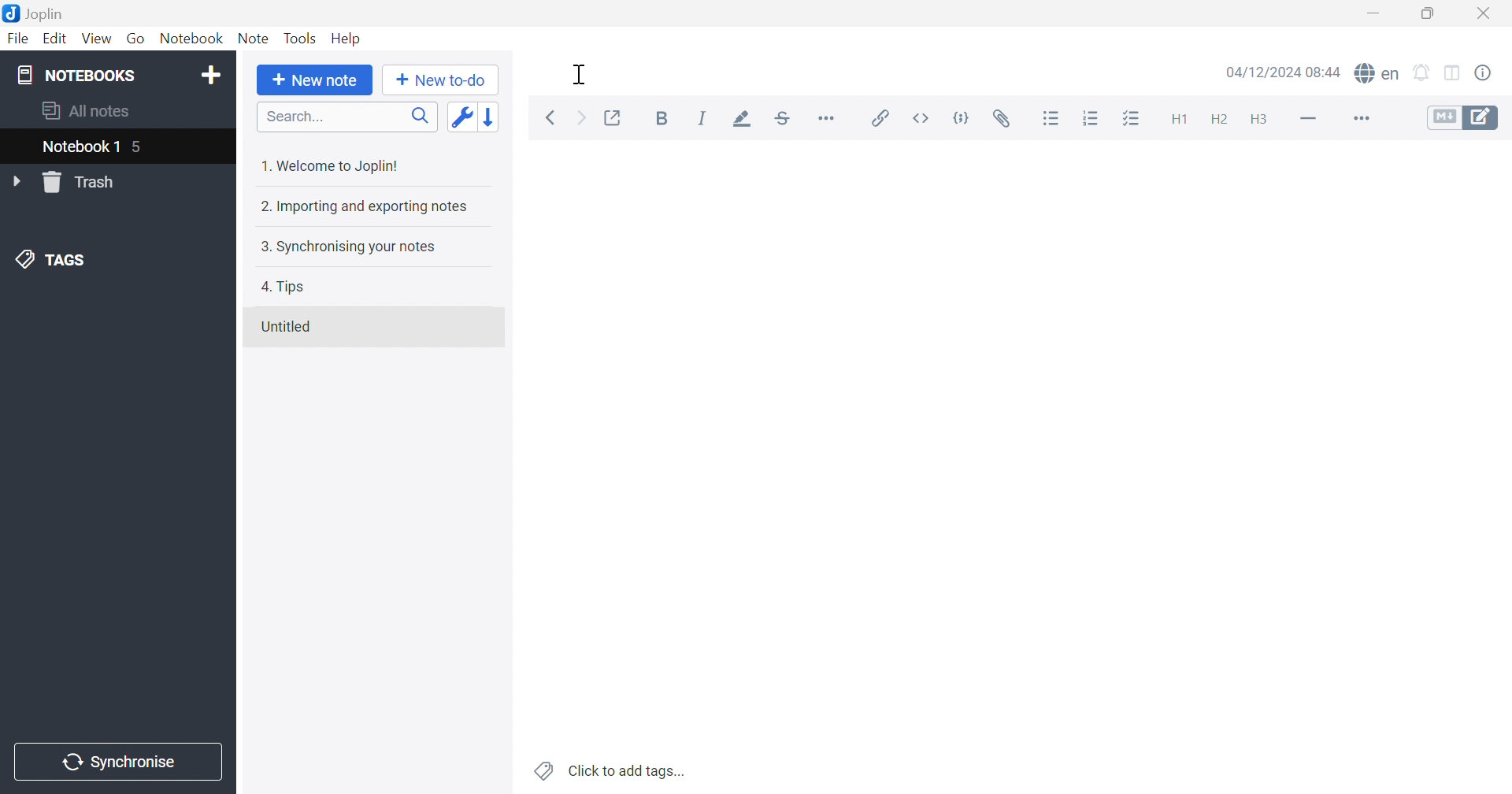  What do you see at coordinates (441, 80) in the screenshot?
I see `New to-do` at bounding box center [441, 80].